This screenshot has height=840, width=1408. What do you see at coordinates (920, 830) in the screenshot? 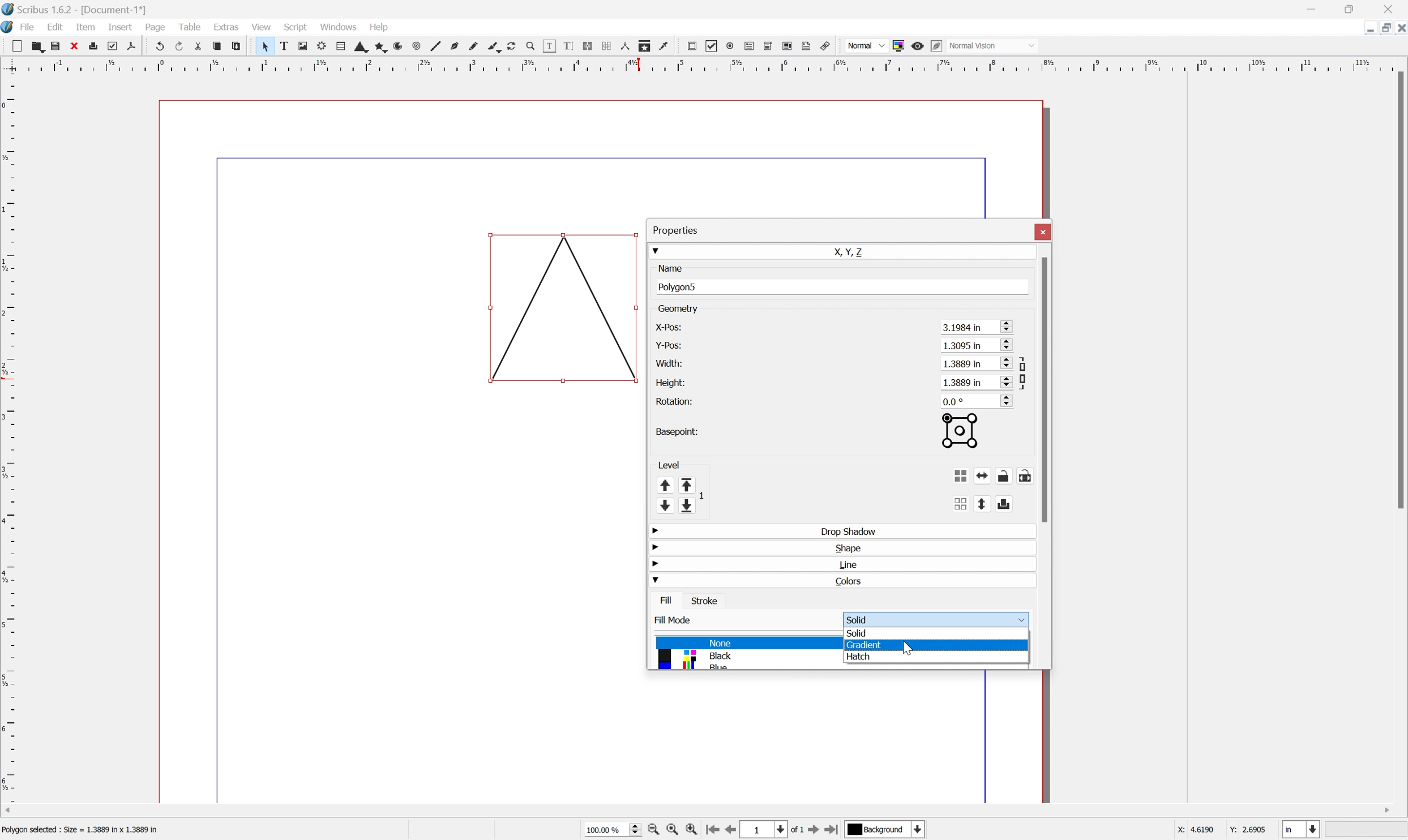
I see `Select current layer` at bounding box center [920, 830].